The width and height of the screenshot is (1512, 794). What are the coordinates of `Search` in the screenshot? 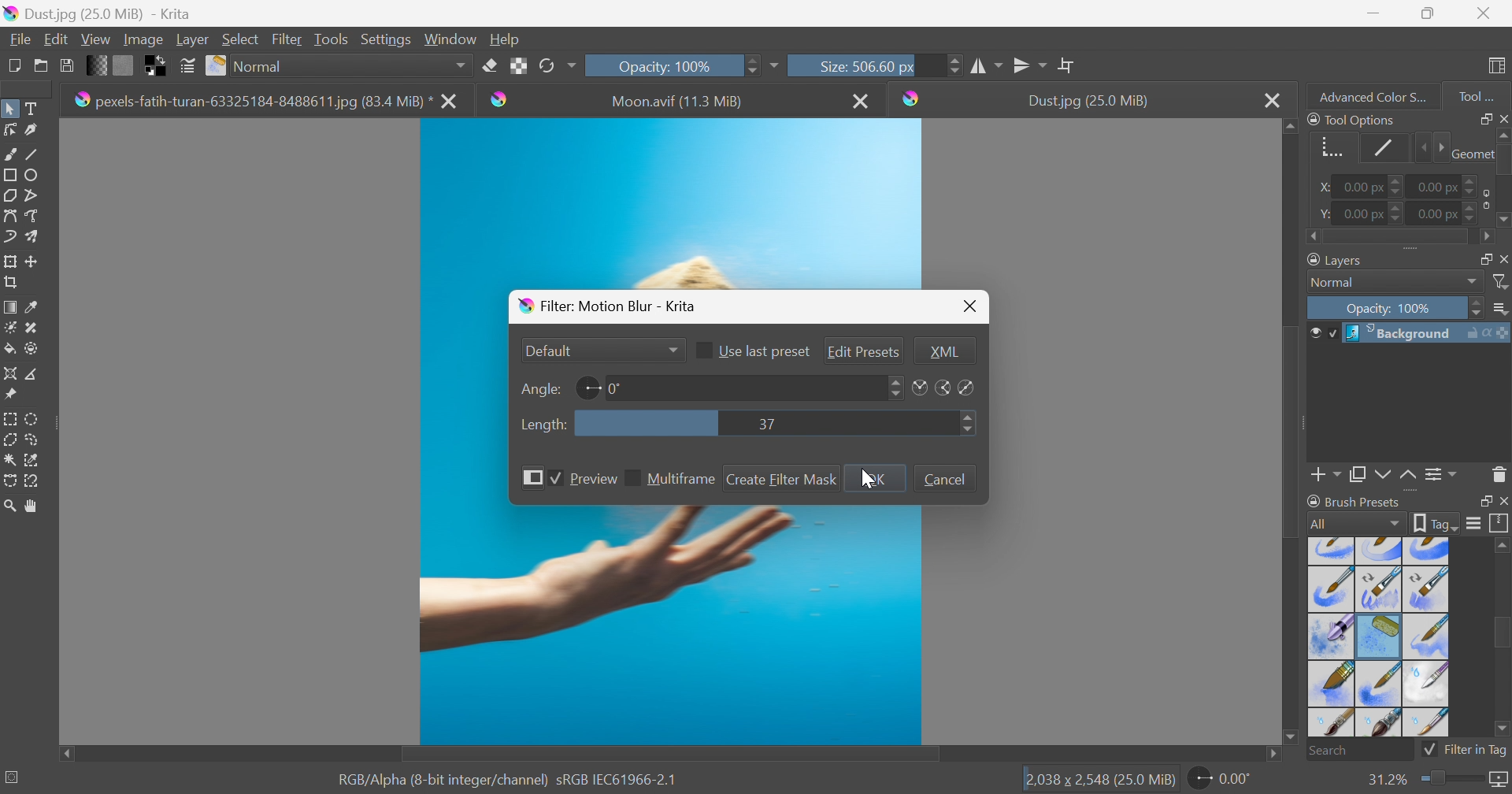 It's located at (1360, 751).